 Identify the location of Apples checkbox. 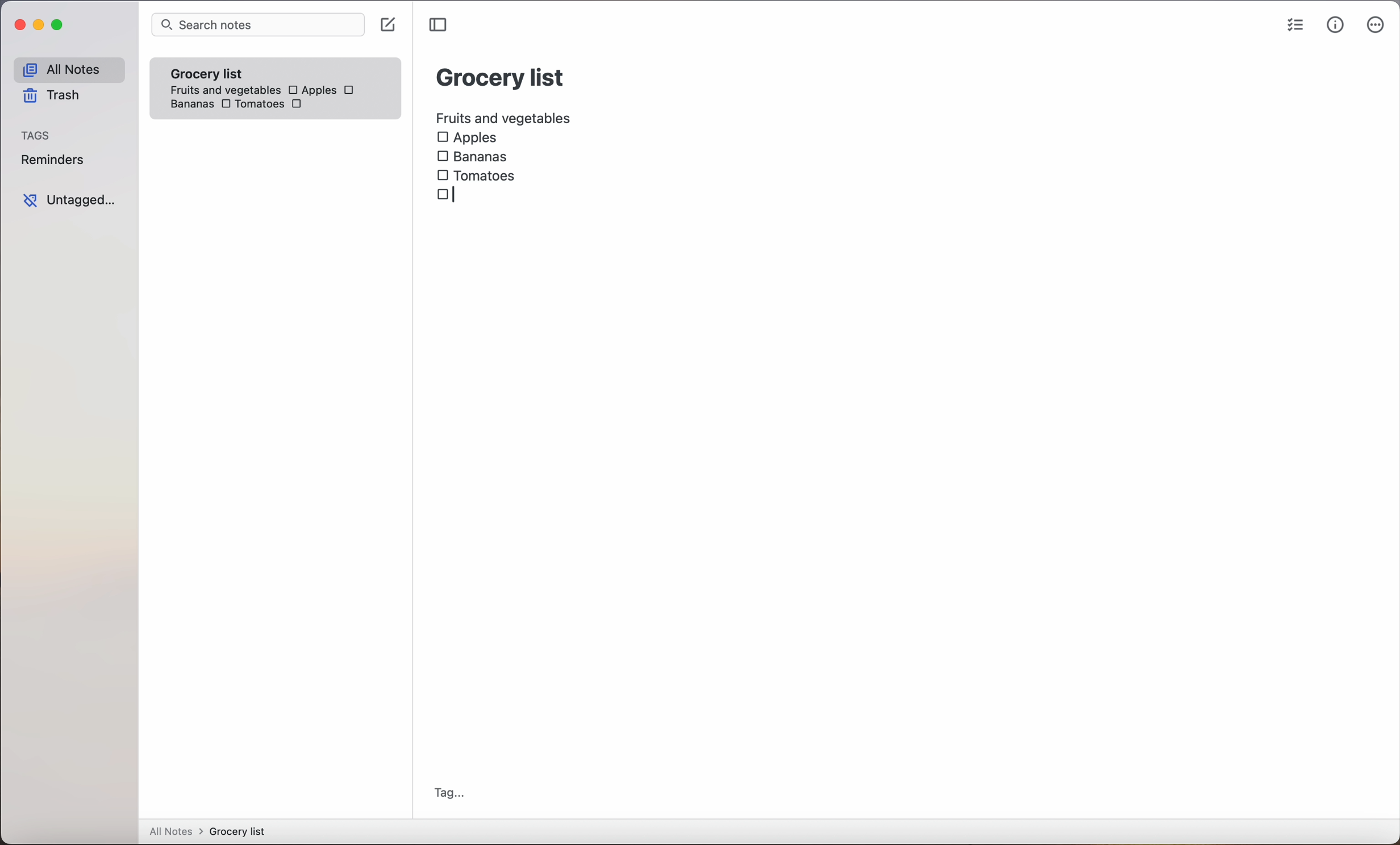
(311, 90).